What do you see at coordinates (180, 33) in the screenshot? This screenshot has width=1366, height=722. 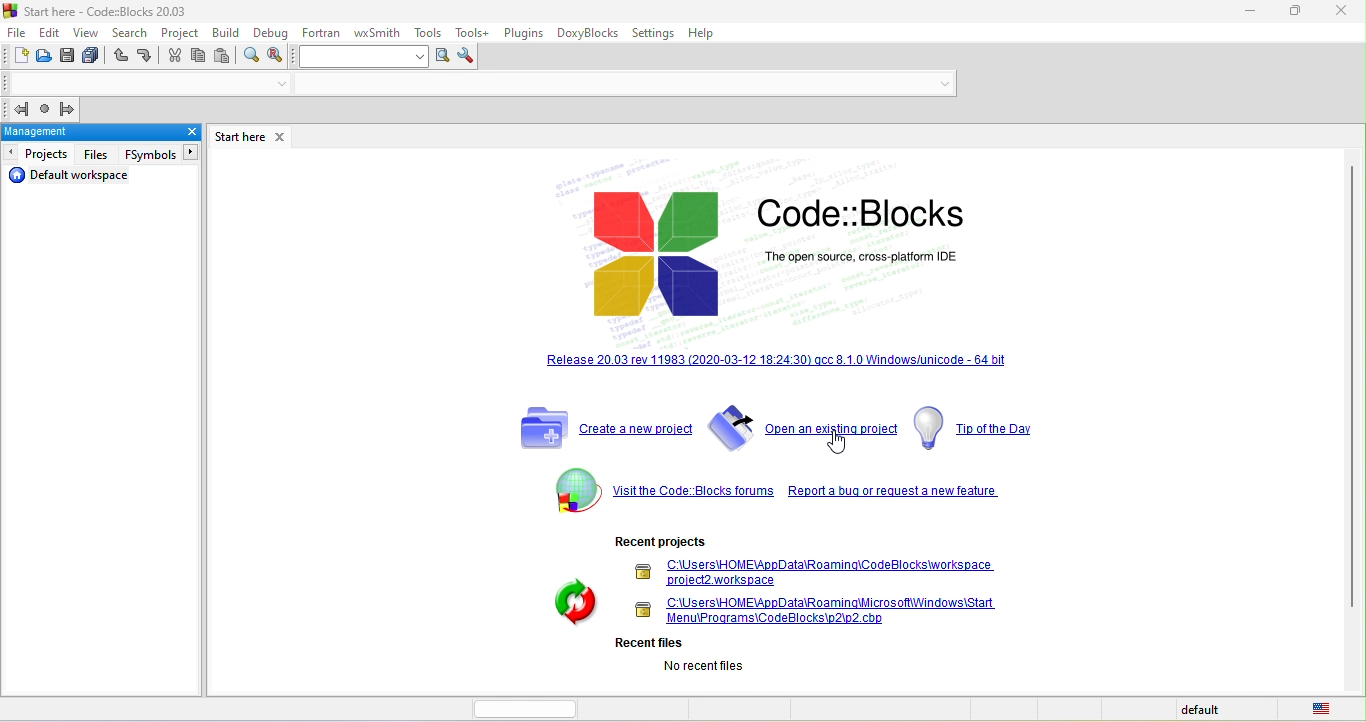 I see `project` at bounding box center [180, 33].